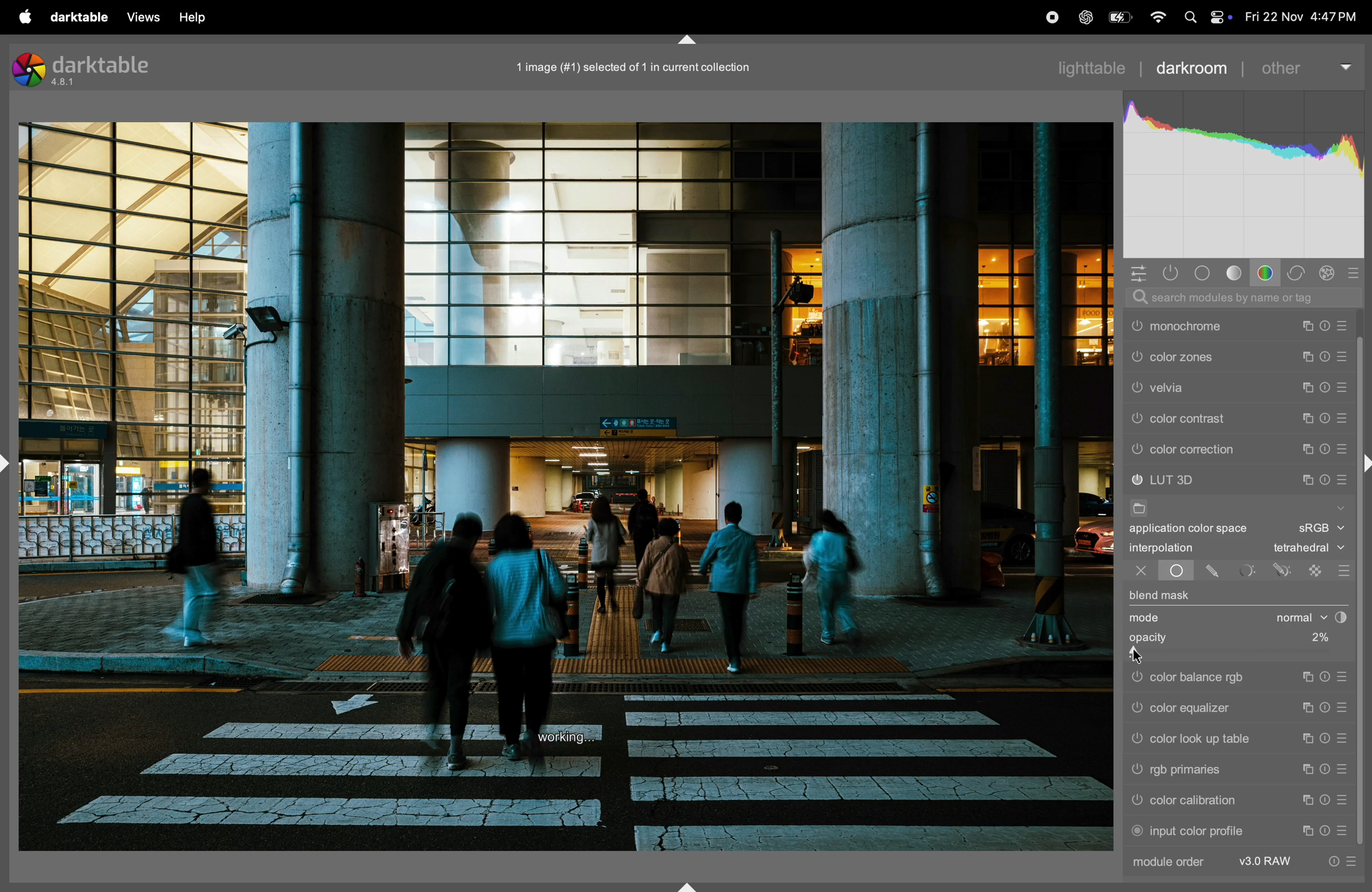 This screenshot has height=892, width=1372. Describe the element at coordinates (1304, 475) in the screenshot. I see `multiple intance actions` at that location.